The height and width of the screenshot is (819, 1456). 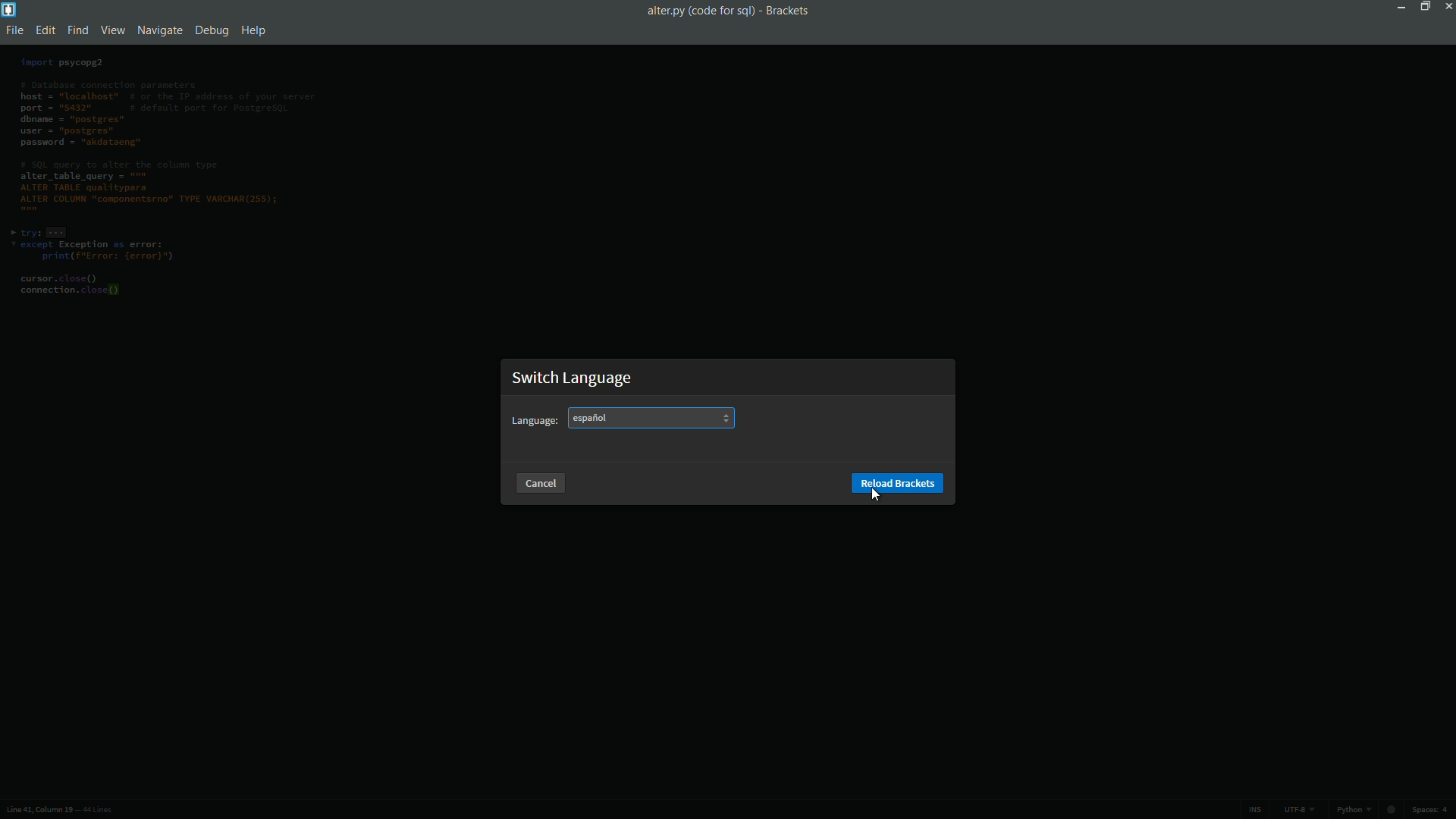 I want to click on find menu, so click(x=78, y=30).